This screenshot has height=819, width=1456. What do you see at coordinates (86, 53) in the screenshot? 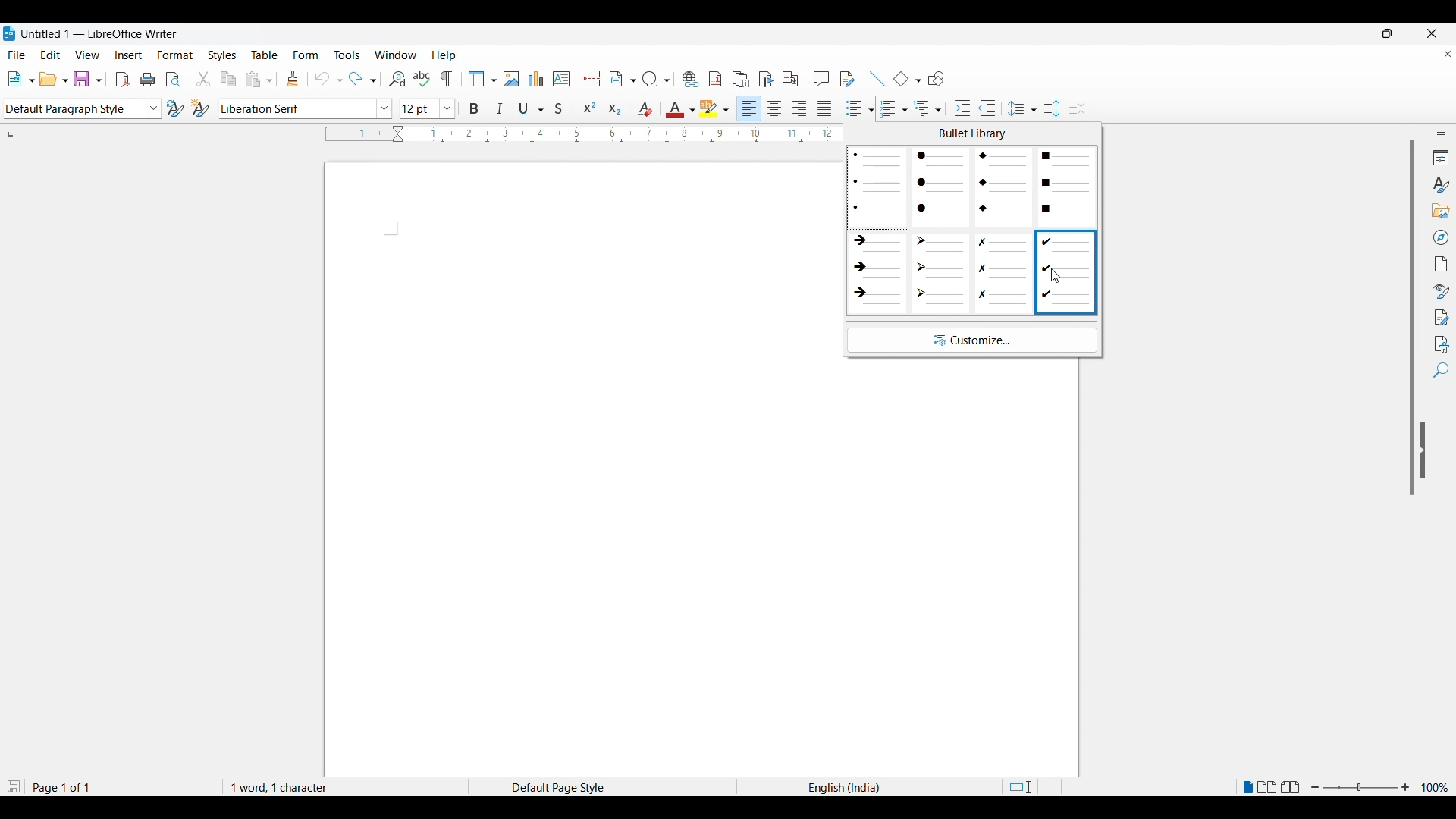
I see `View` at bounding box center [86, 53].